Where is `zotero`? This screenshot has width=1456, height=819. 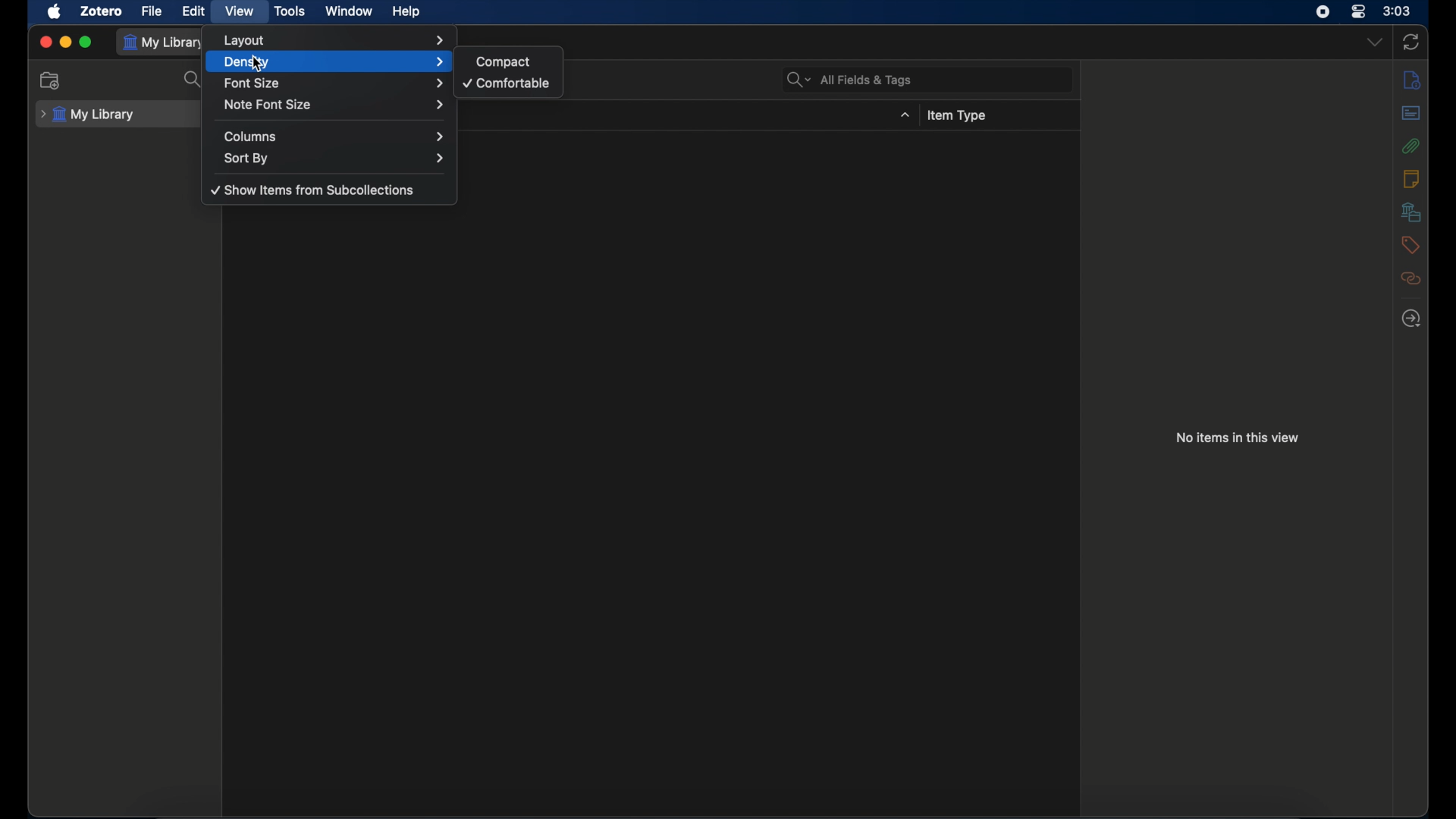 zotero is located at coordinates (101, 11).